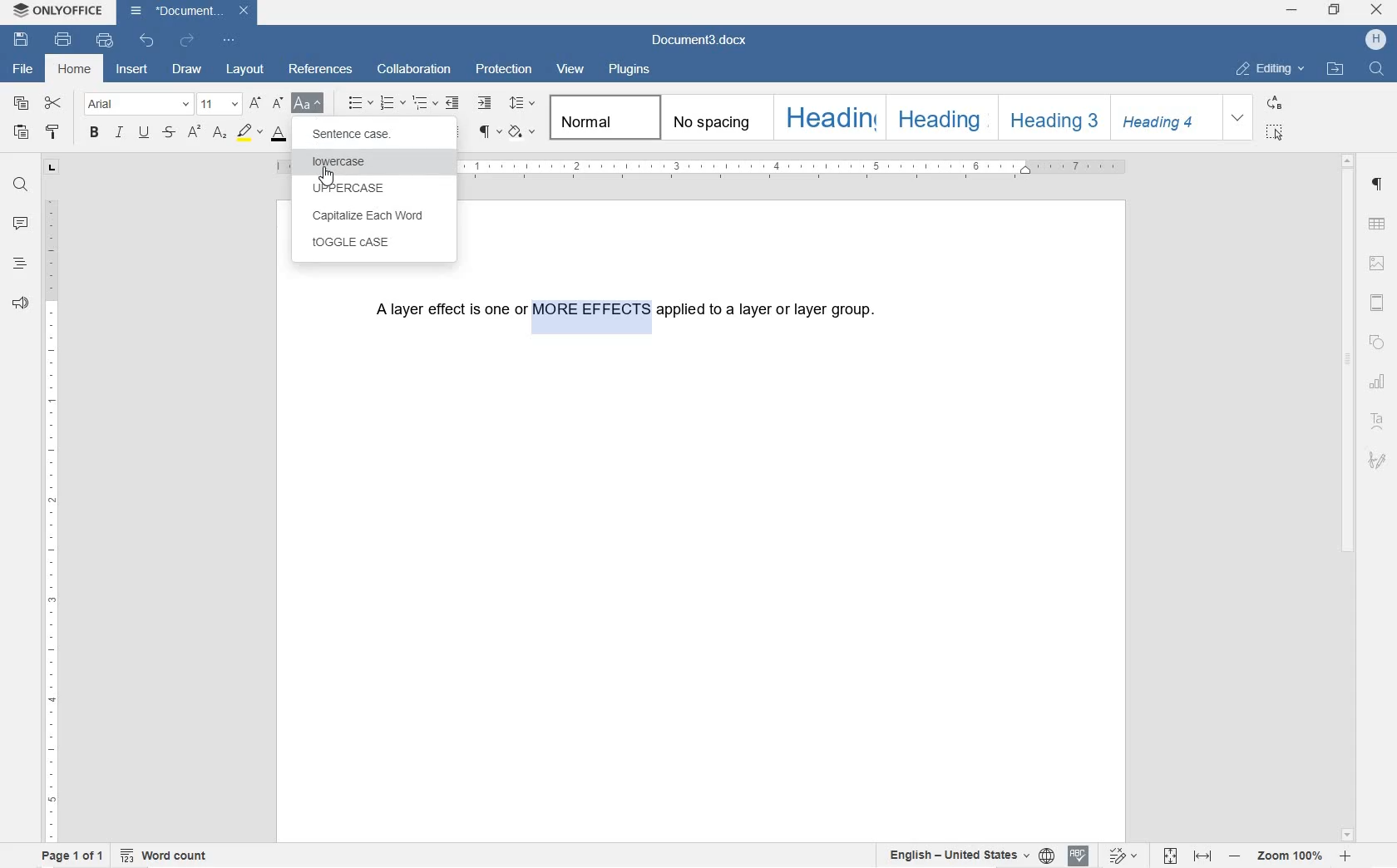  What do you see at coordinates (95, 134) in the screenshot?
I see `BOLD` at bounding box center [95, 134].